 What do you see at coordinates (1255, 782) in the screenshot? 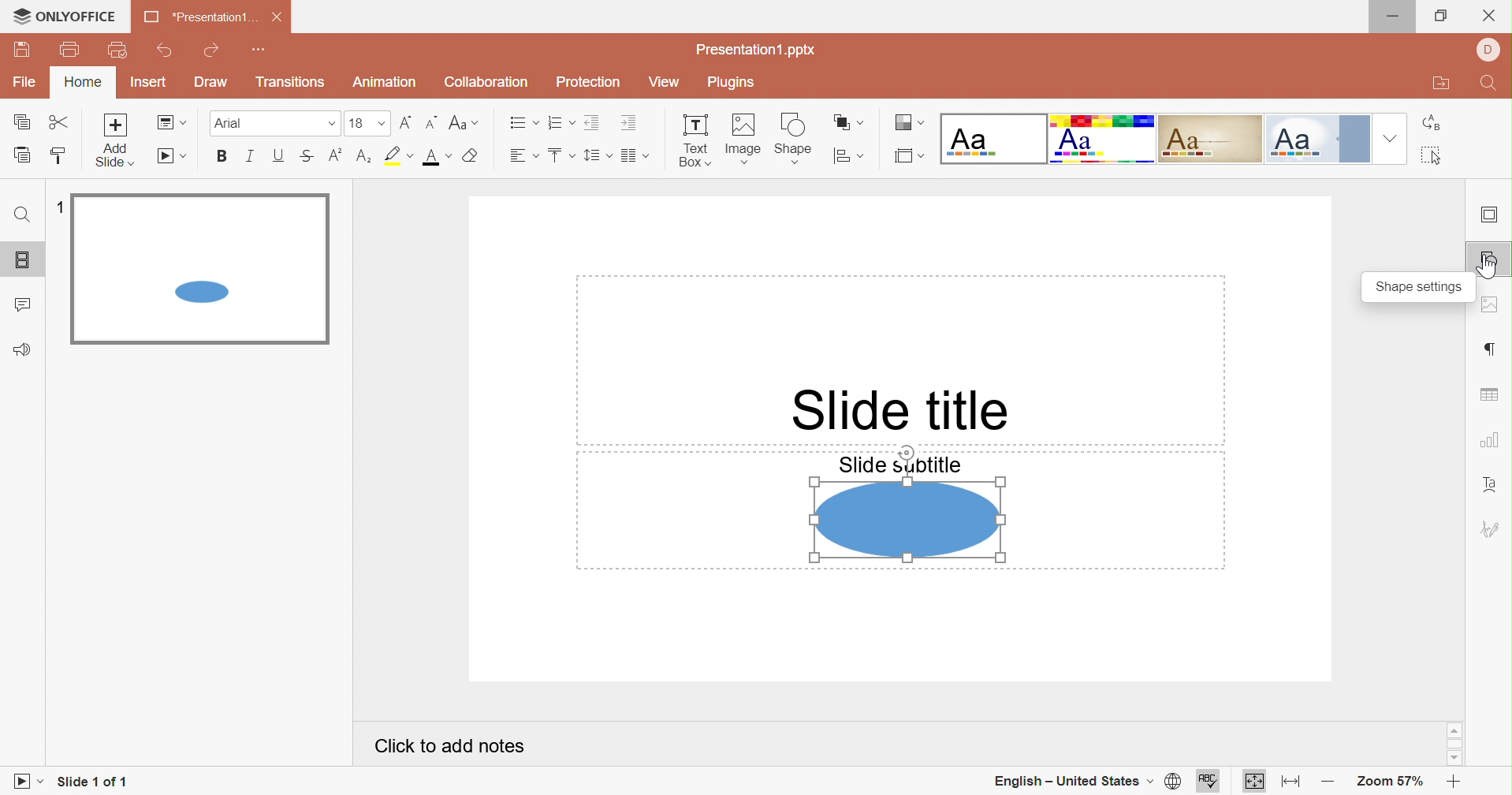
I see `Fit to slide` at bounding box center [1255, 782].